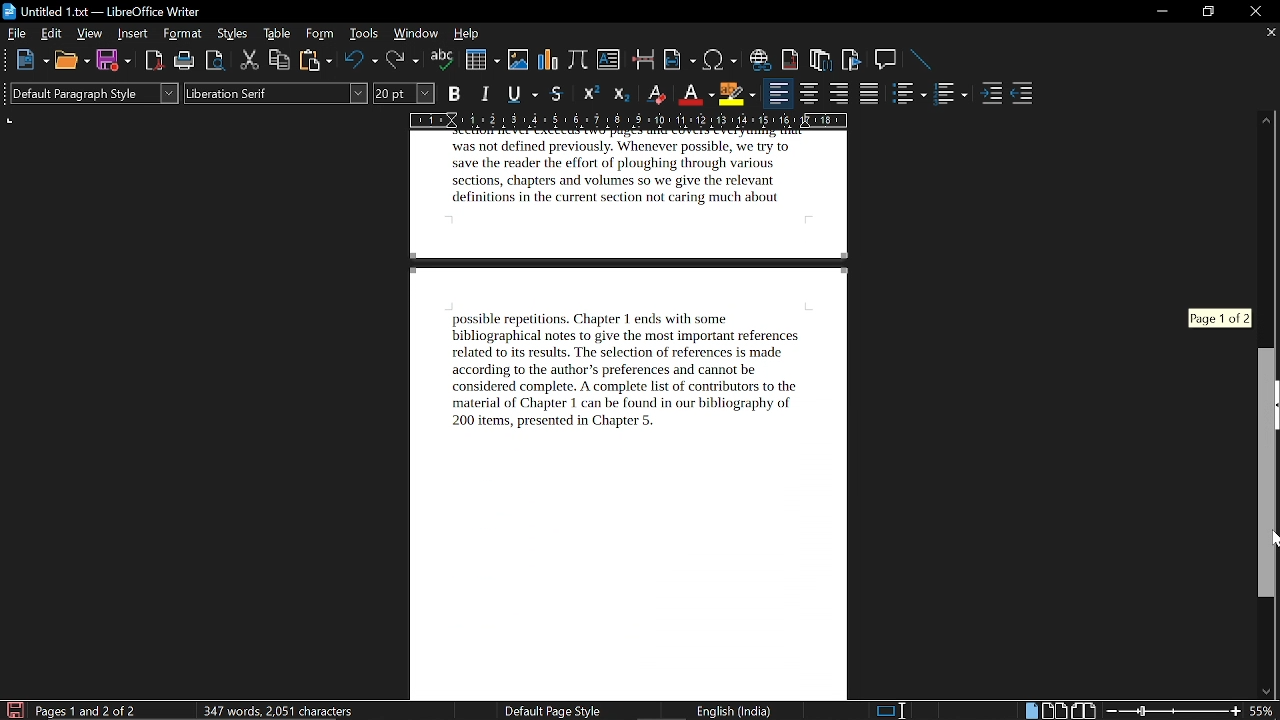 This screenshot has width=1280, height=720. What do you see at coordinates (466, 34) in the screenshot?
I see `help` at bounding box center [466, 34].